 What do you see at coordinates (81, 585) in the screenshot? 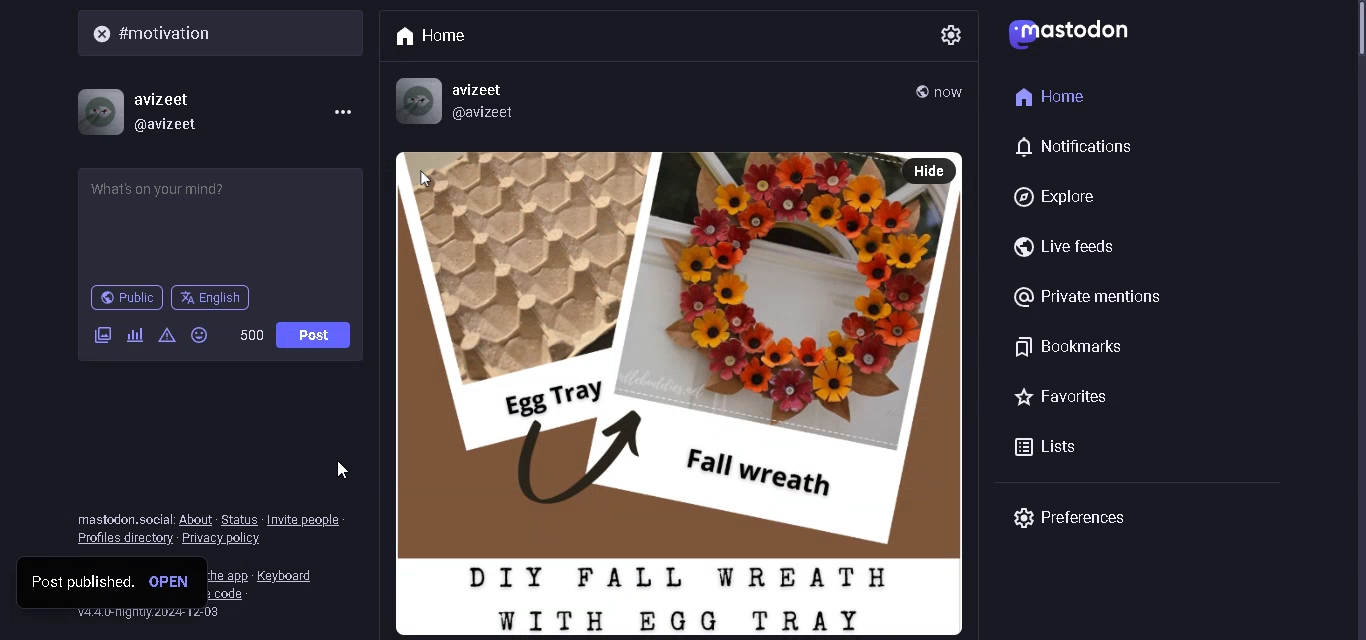
I see `post published` at bounding box center [81, 585].